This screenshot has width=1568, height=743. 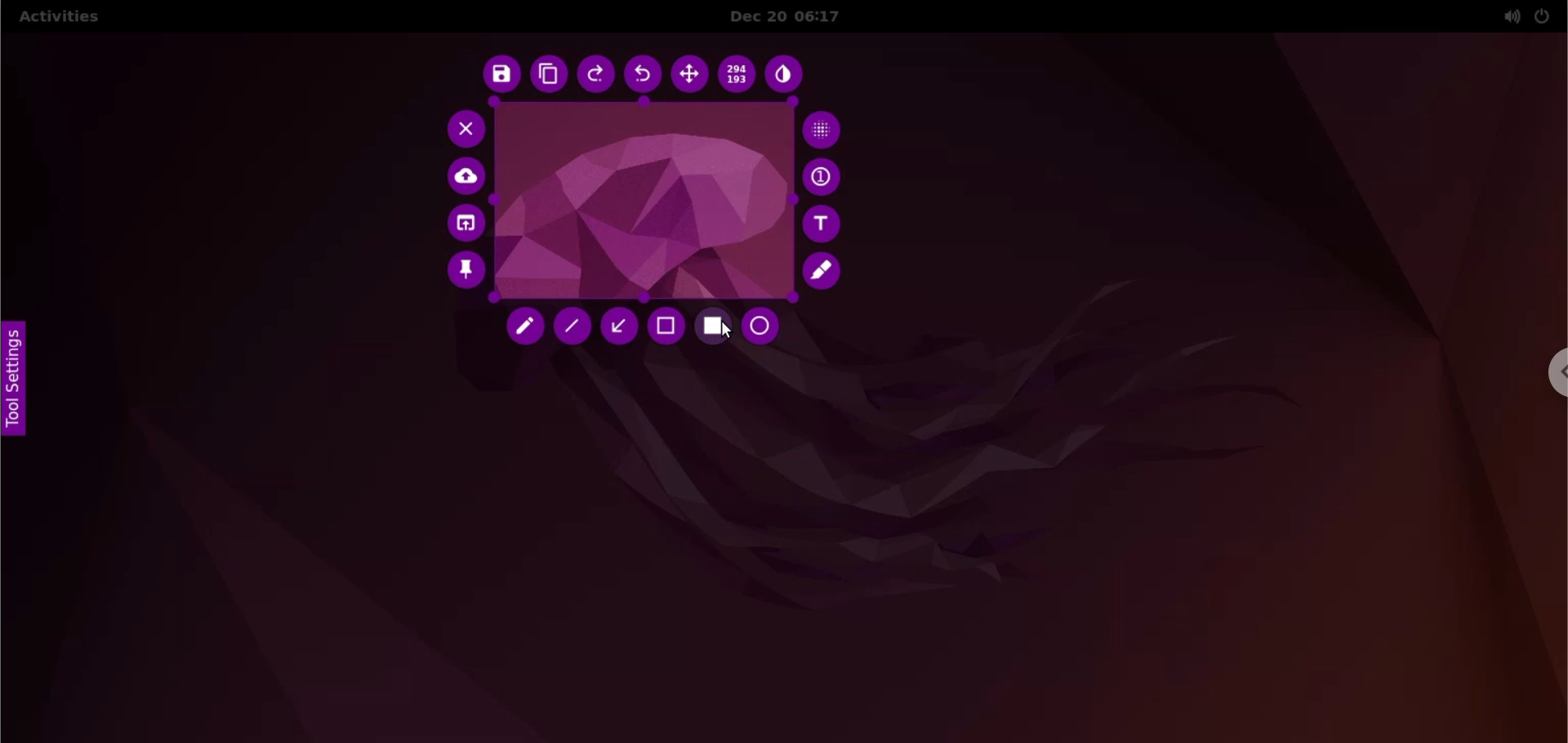 What do you see at coordinates (572, 327) in the screenshot?
I see `line tool` at bounding box center [572, 327].